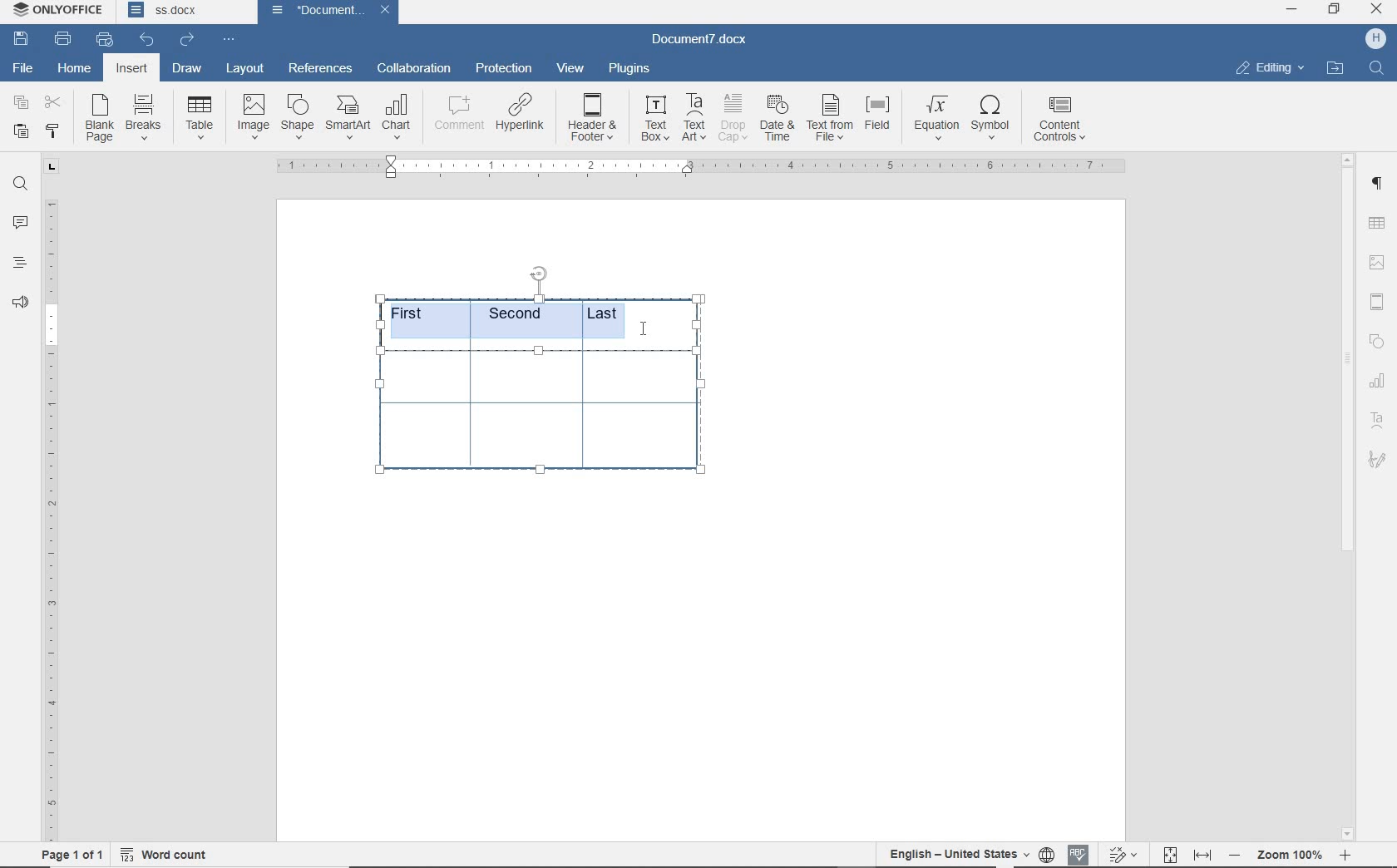 This screenshot has height=868, width=1397. What do you see at coordinates (53, 104) in the screenshot?
I see `cut` at bounding box center [53, 104].